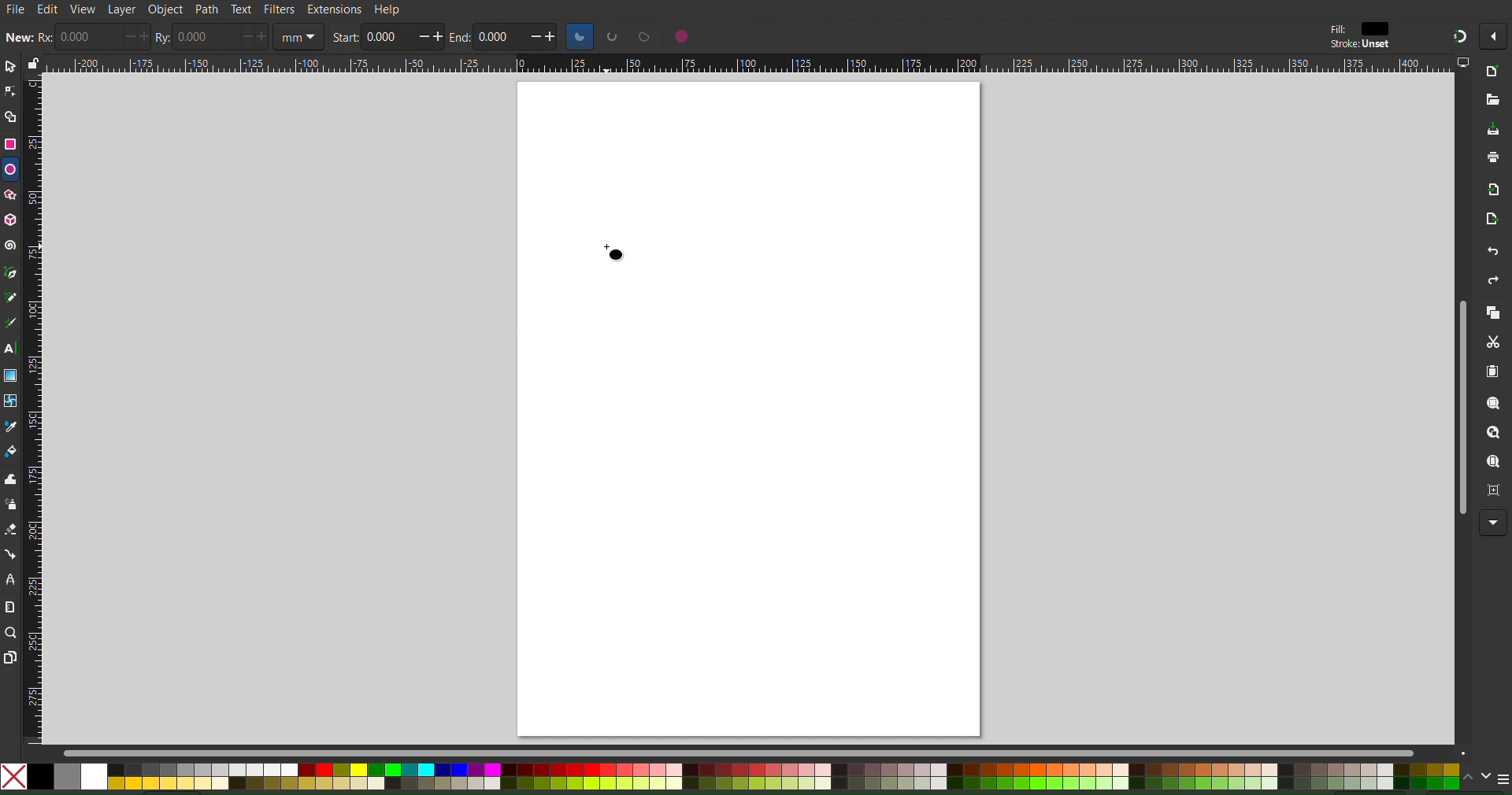 The image size is (1512, 795). What do you see at coordinates (543, 36) in the screenshot?
I see `increase/decrease` at bounding box center [543, 36].